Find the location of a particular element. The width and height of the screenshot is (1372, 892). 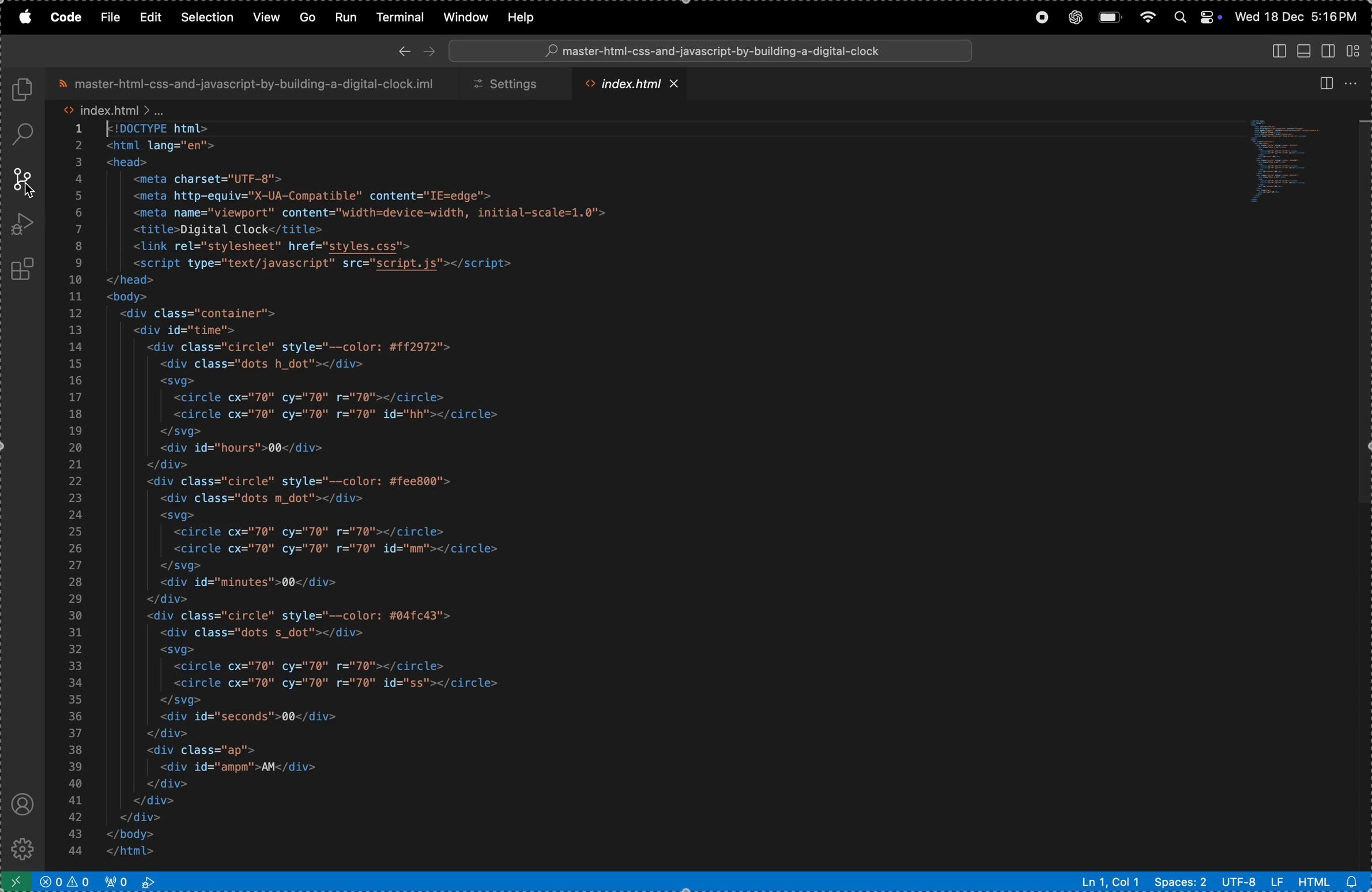

toggle panel is located at coordinates (1303, 50).